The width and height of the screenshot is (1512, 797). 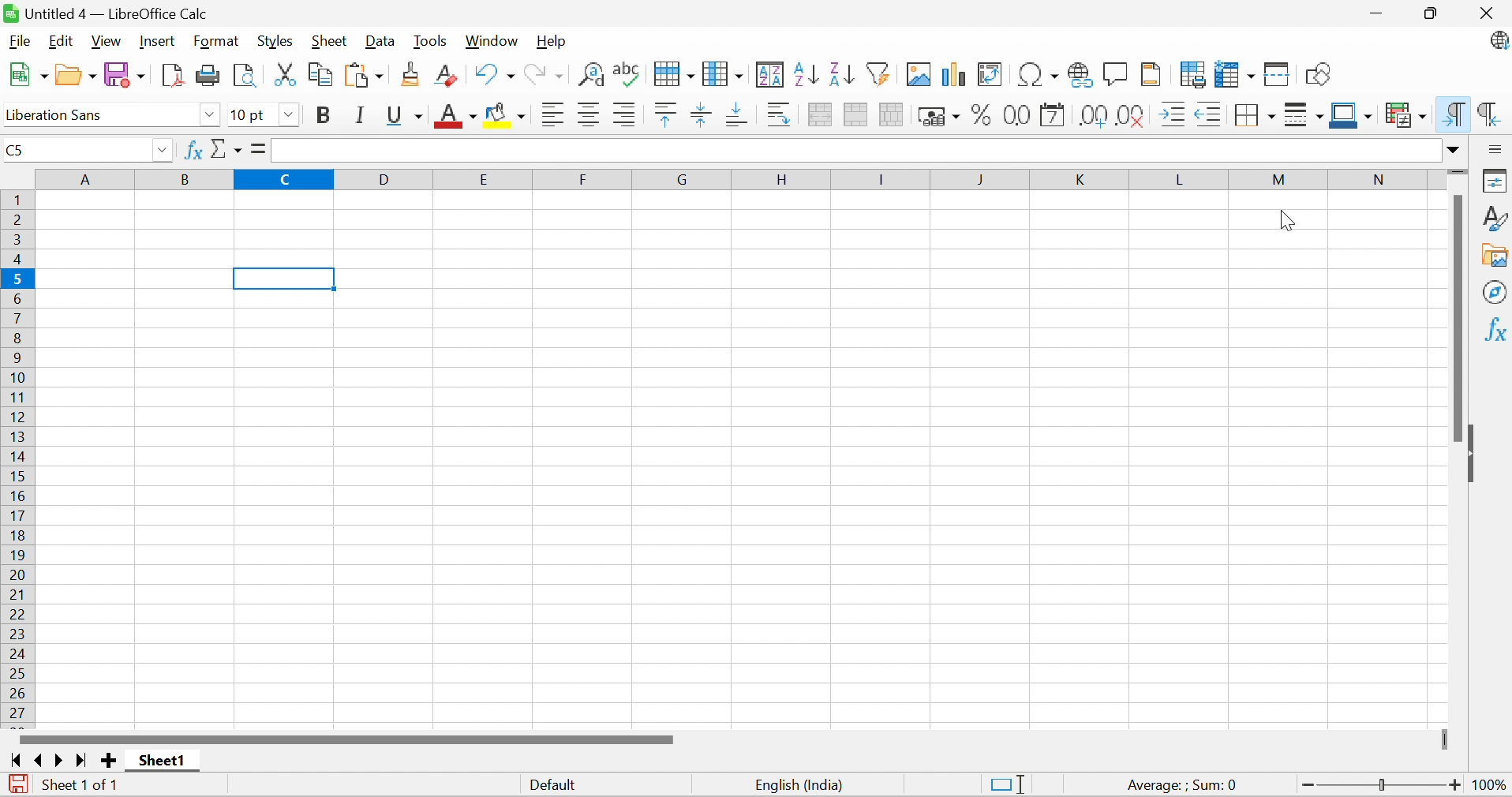 What do you see at coordinates (346, 739) in the screenshot?
I see `Scroll bar` at bounding box center [346, 739].